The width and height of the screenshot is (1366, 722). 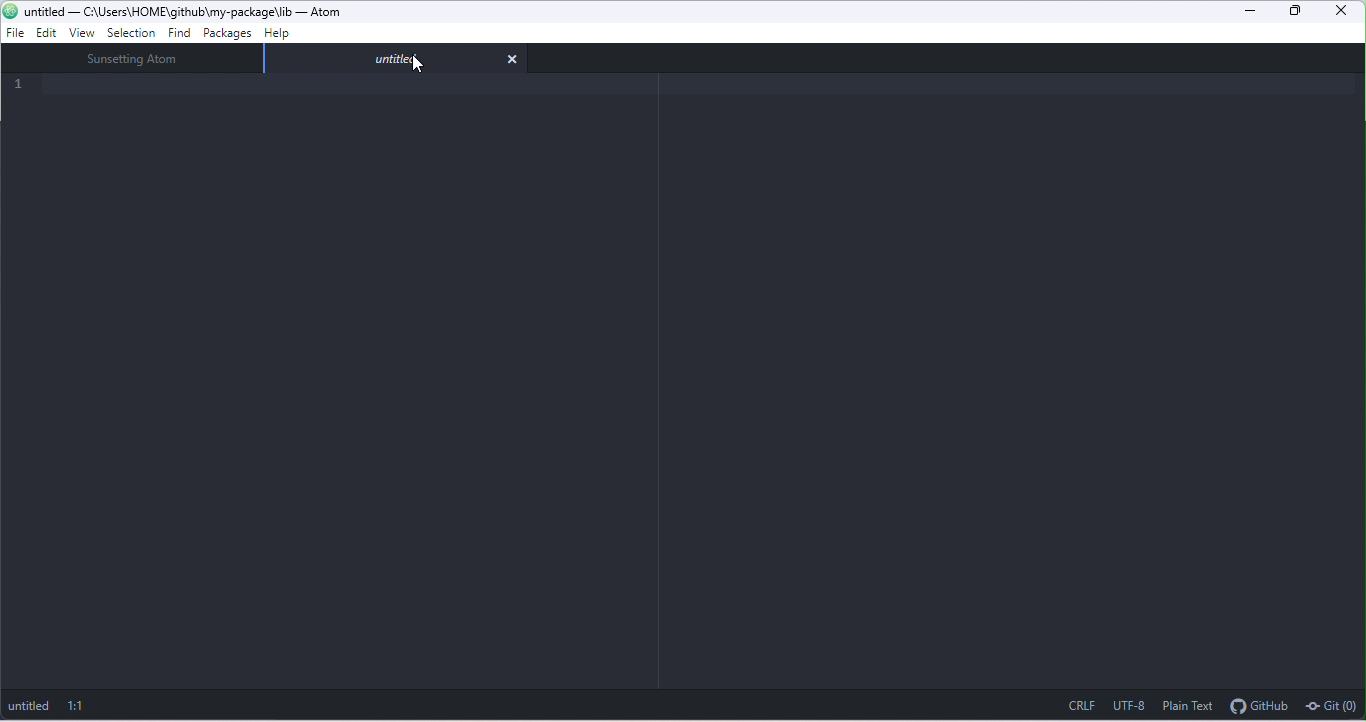 I want to click on Atom Logo, so click(x=10, y=12).